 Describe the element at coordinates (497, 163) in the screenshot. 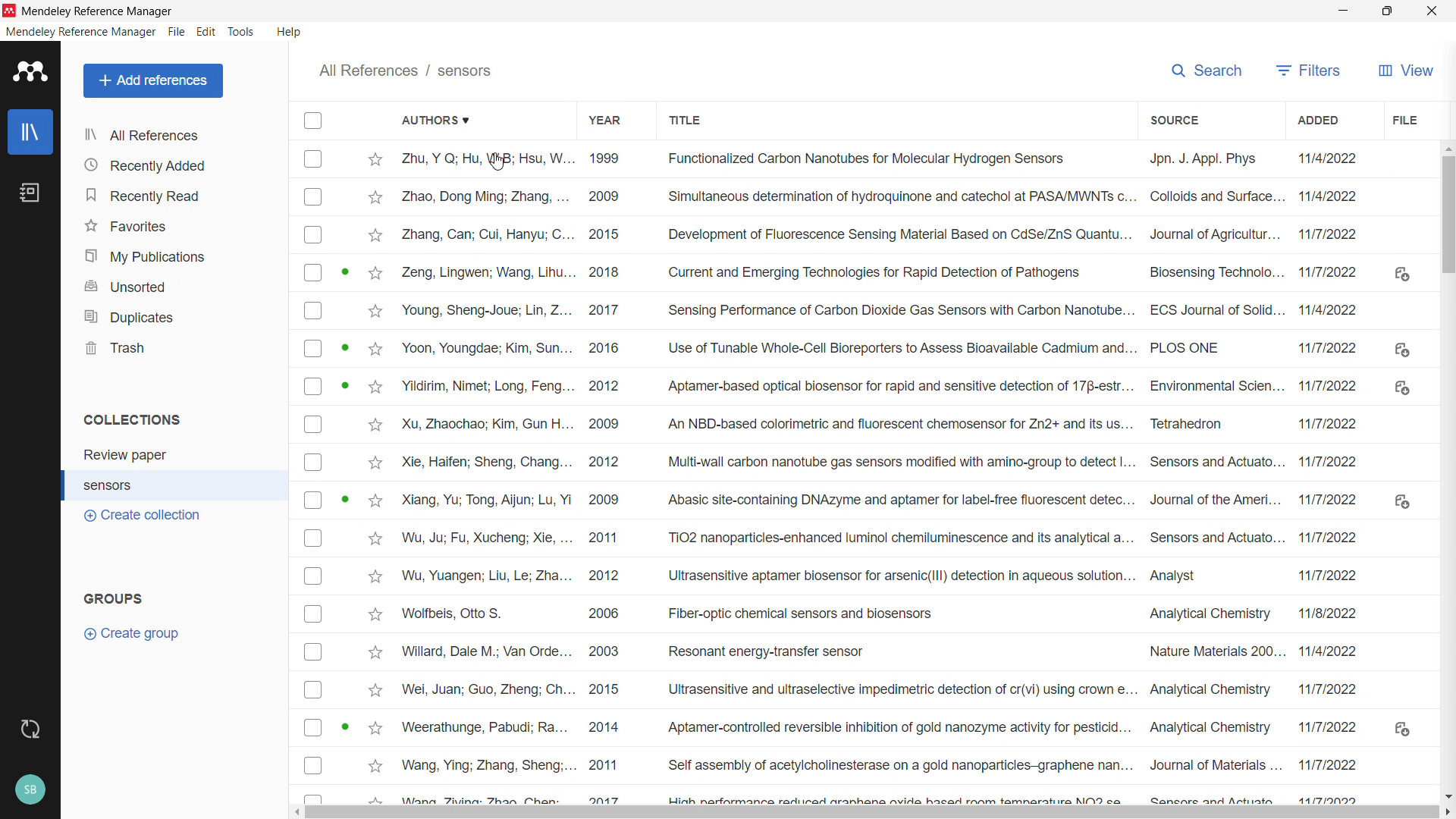

I see `Cursor ` at that location.